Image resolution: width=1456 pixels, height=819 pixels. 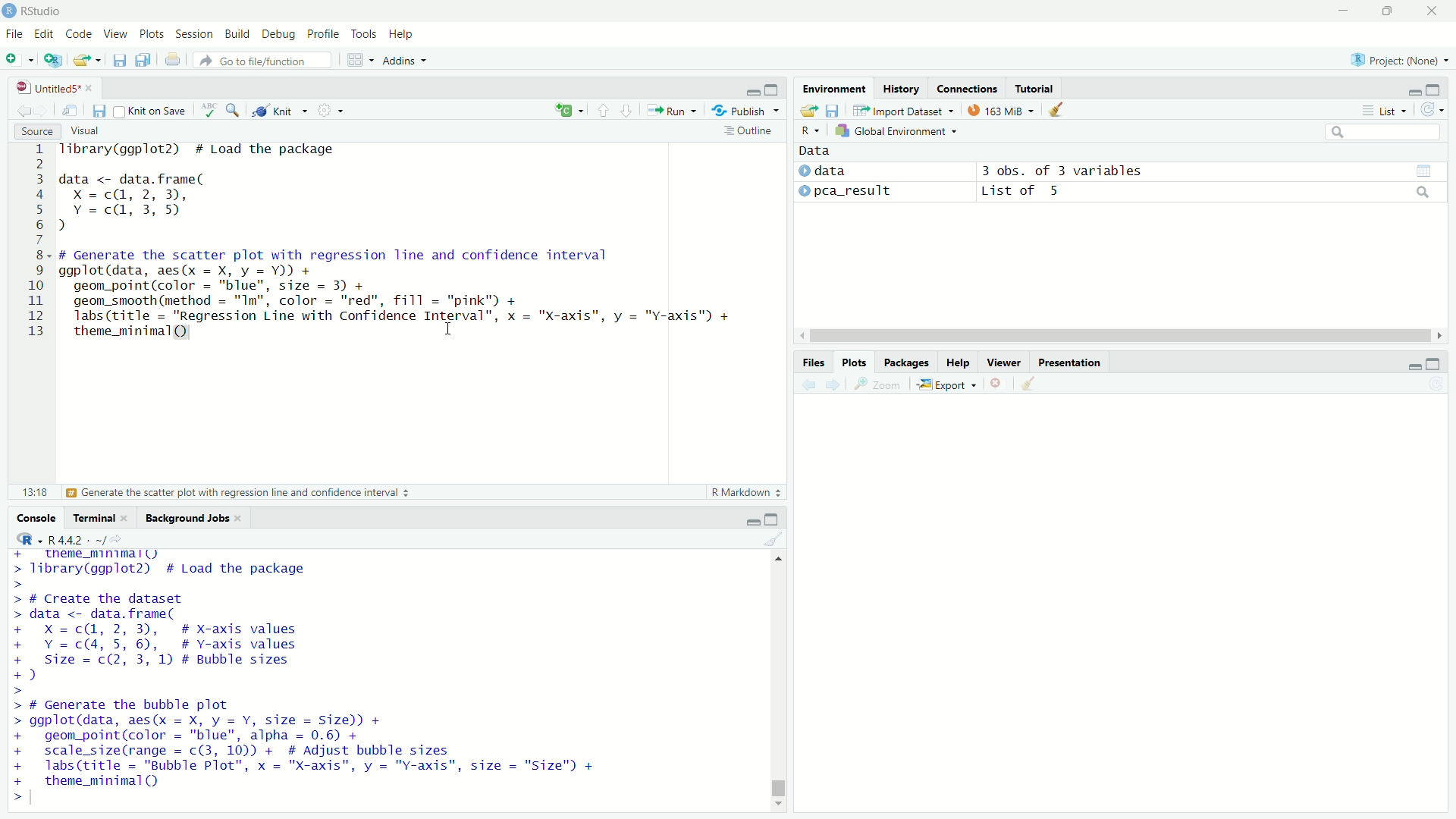 What do you see at coordinates (24, 111) in the screenshot?
I see `Go back to previous source location` at bounding box center [24, 111].